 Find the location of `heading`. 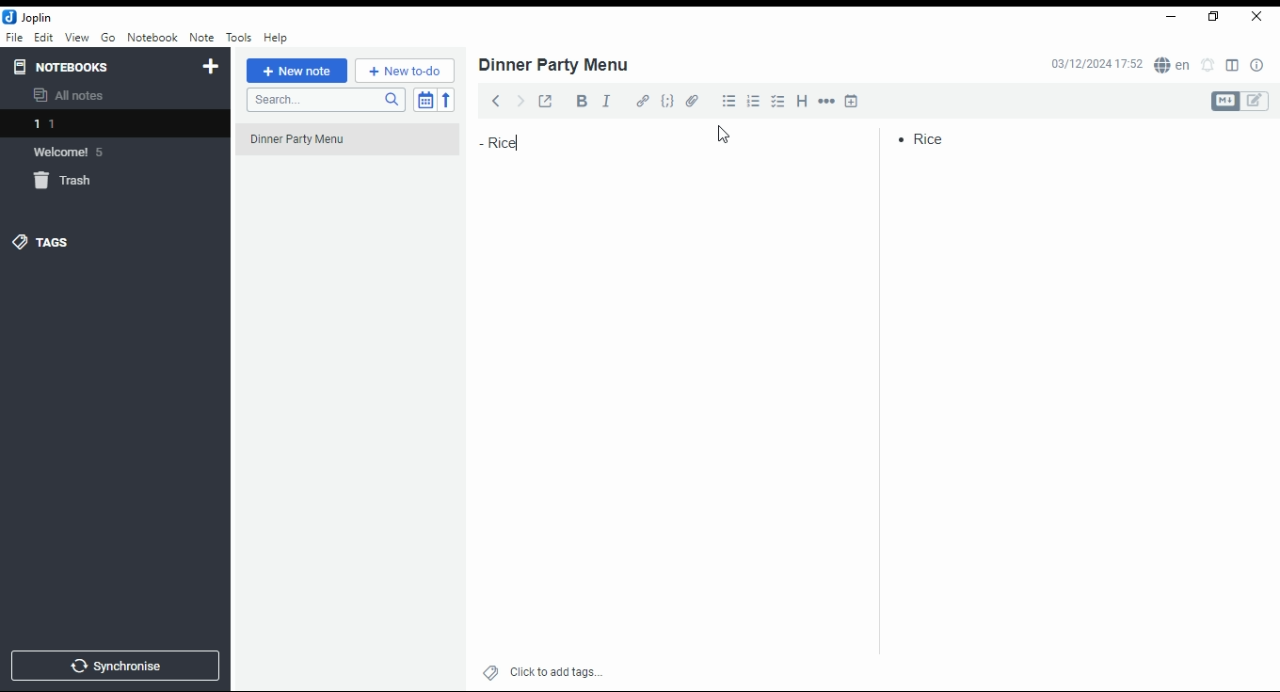

heading is located at coordinates (803, 102).